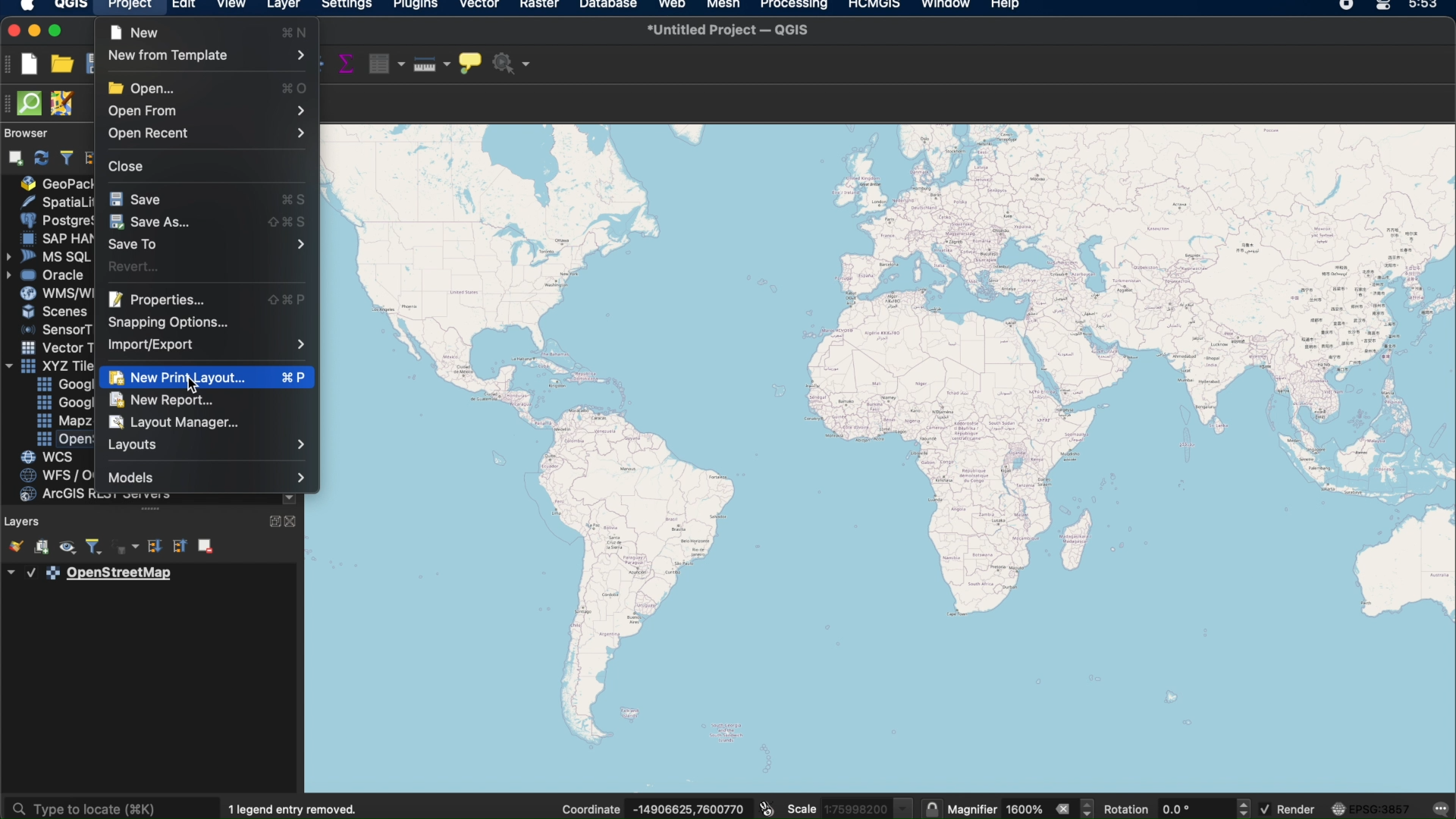 This screenshot has width=1456, height=819. Describe the element at coordinates (64, 103) in the screenshot. I see `JOSM remote` at that location.